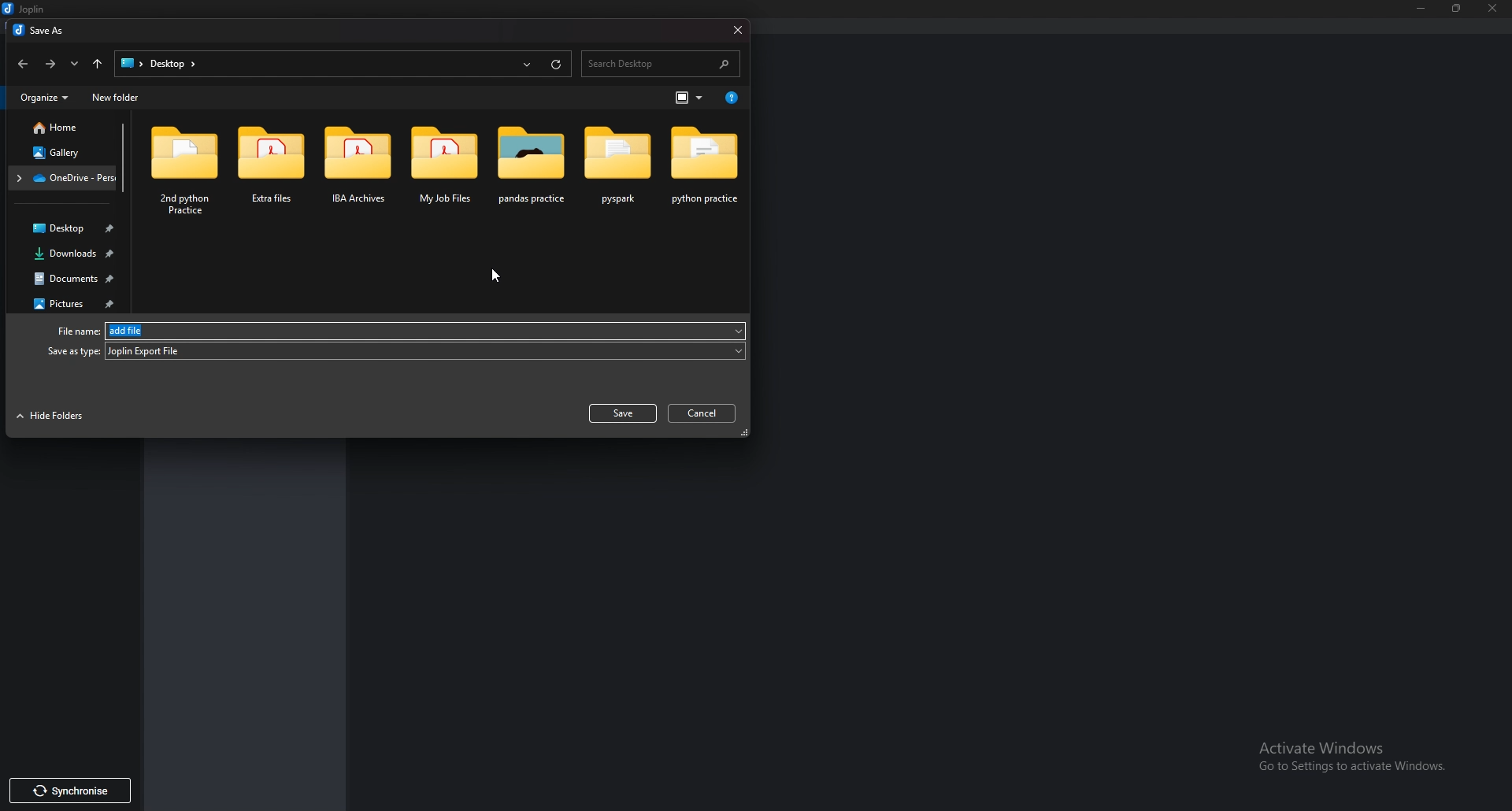  Describe the element at coordinates (70, 228) in the screenshot. I see `Desktop` at that location.